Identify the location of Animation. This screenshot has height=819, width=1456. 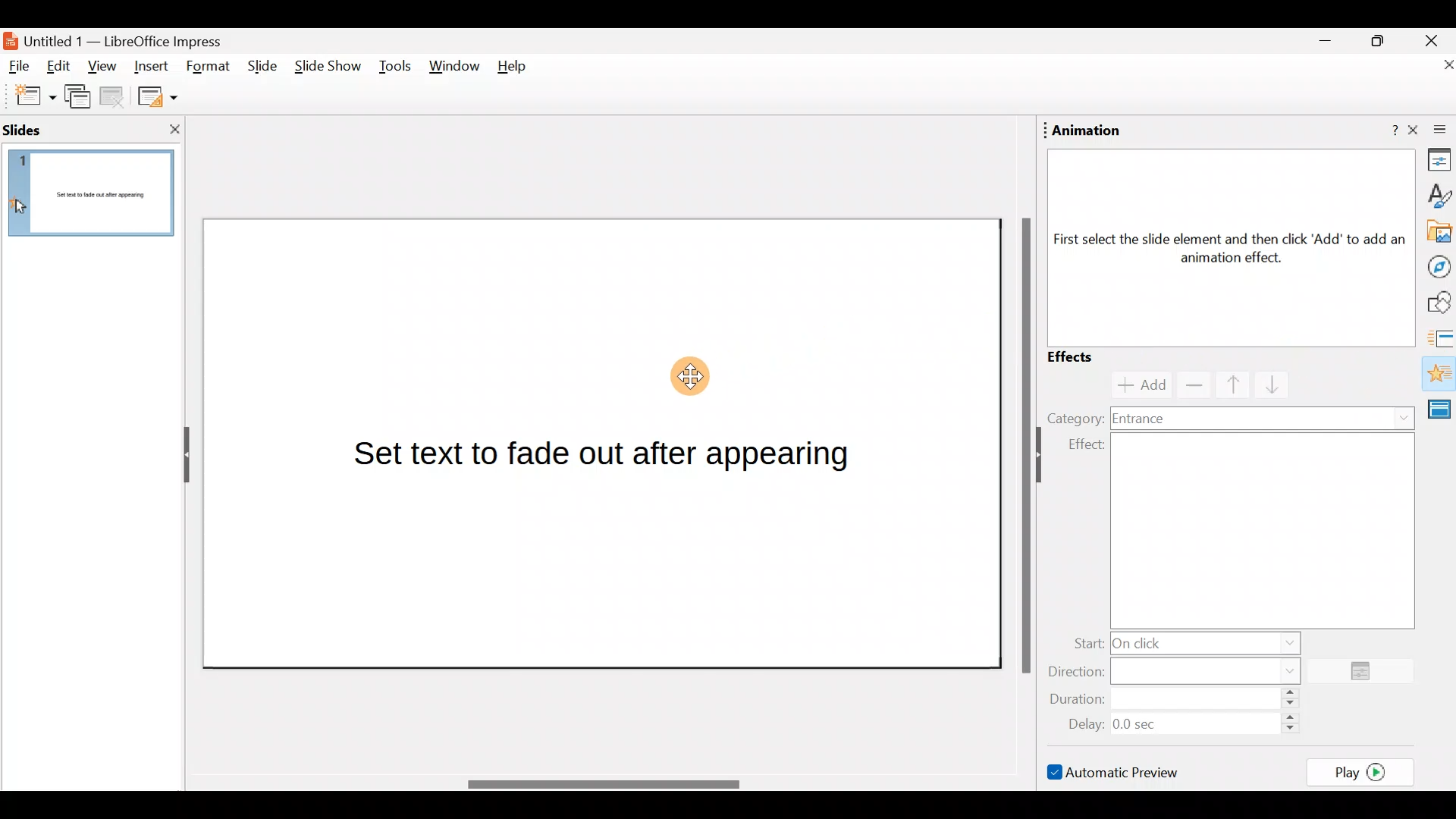
(1438, 375).